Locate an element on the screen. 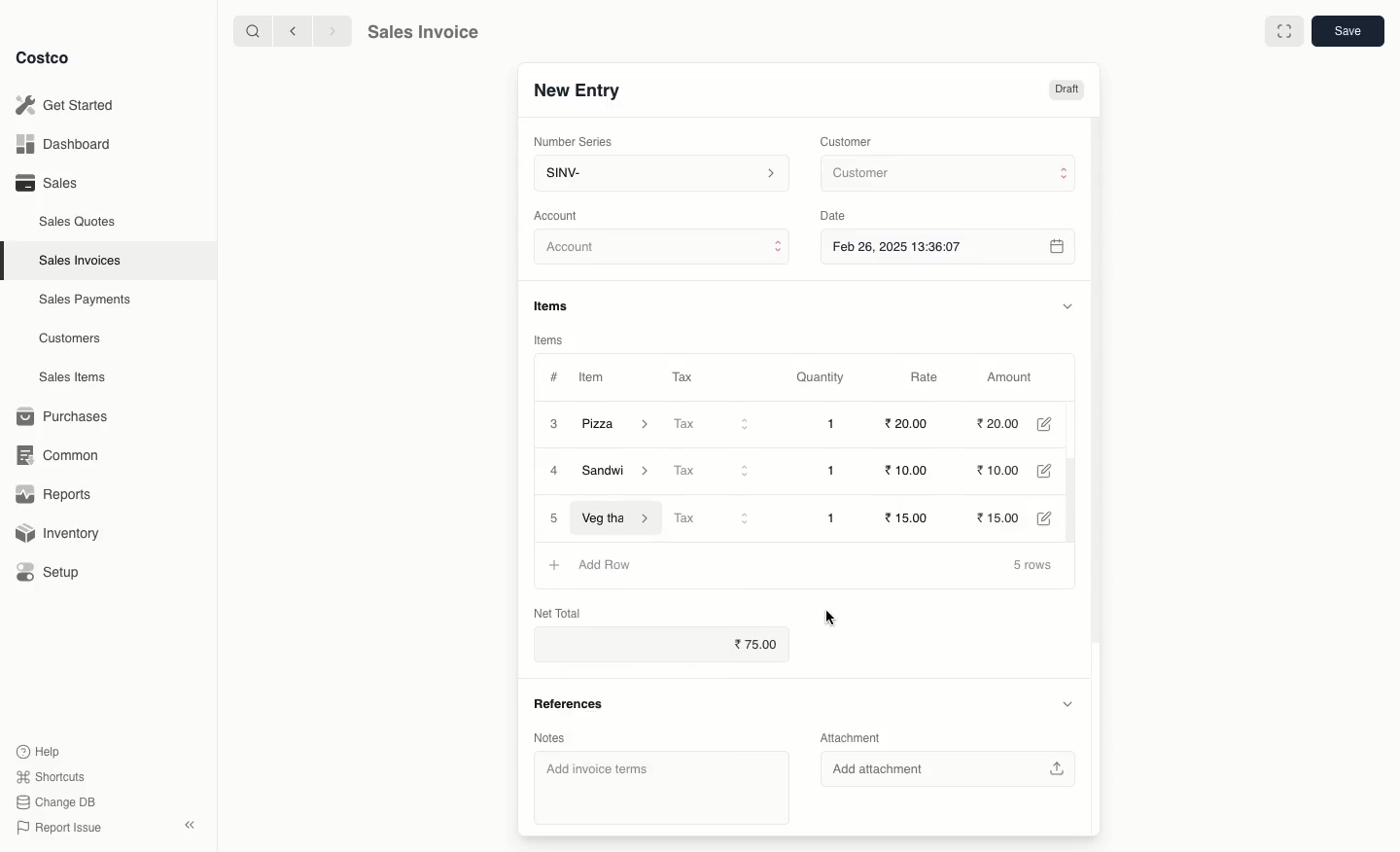  75.00 is located at coordinates (759, 645).